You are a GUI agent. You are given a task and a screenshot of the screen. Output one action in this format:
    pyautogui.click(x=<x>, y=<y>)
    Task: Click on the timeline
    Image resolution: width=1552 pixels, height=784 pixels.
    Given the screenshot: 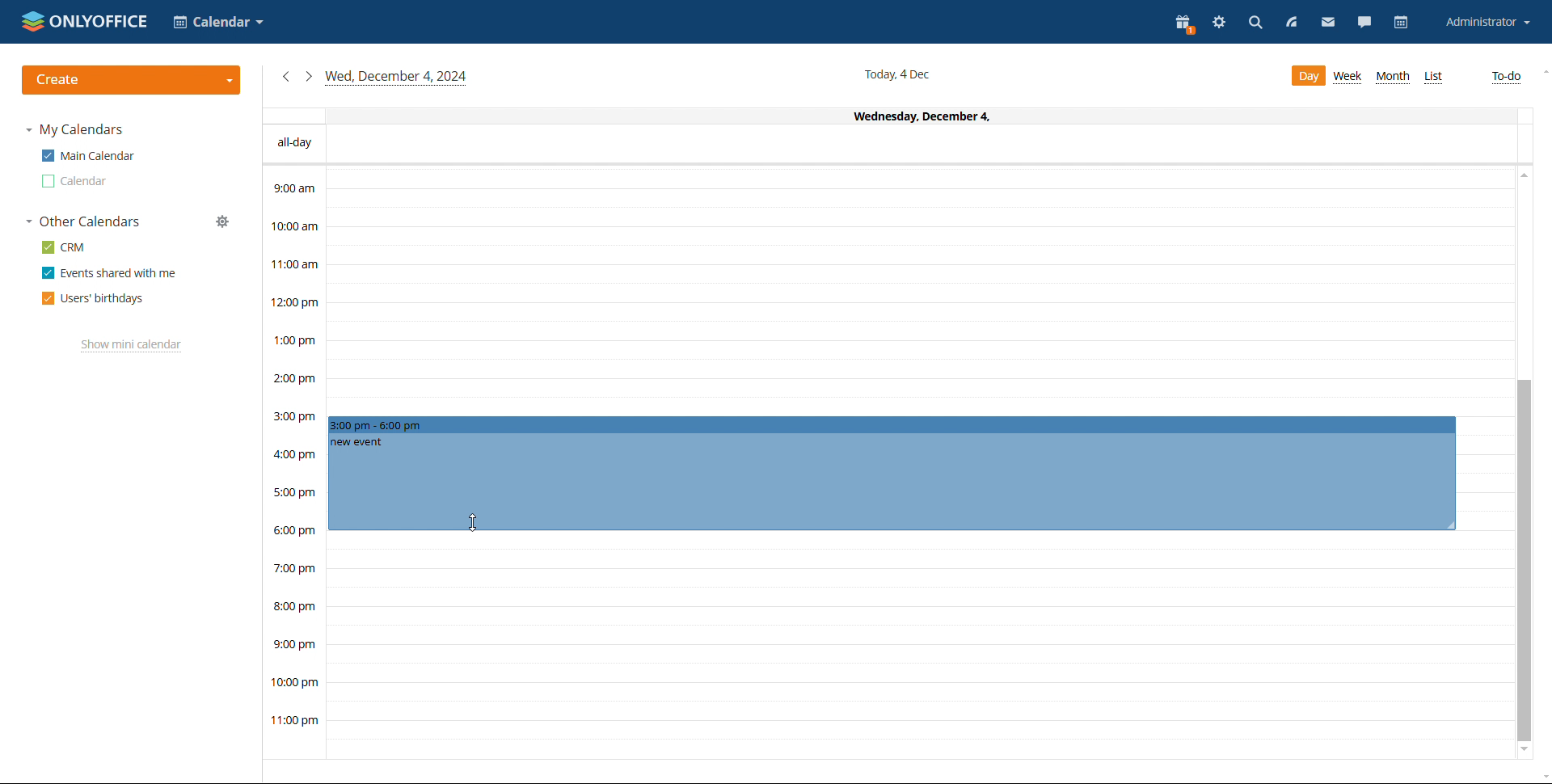 What is the action you would take?
    pyautogui.click(x=293, y=462)
    